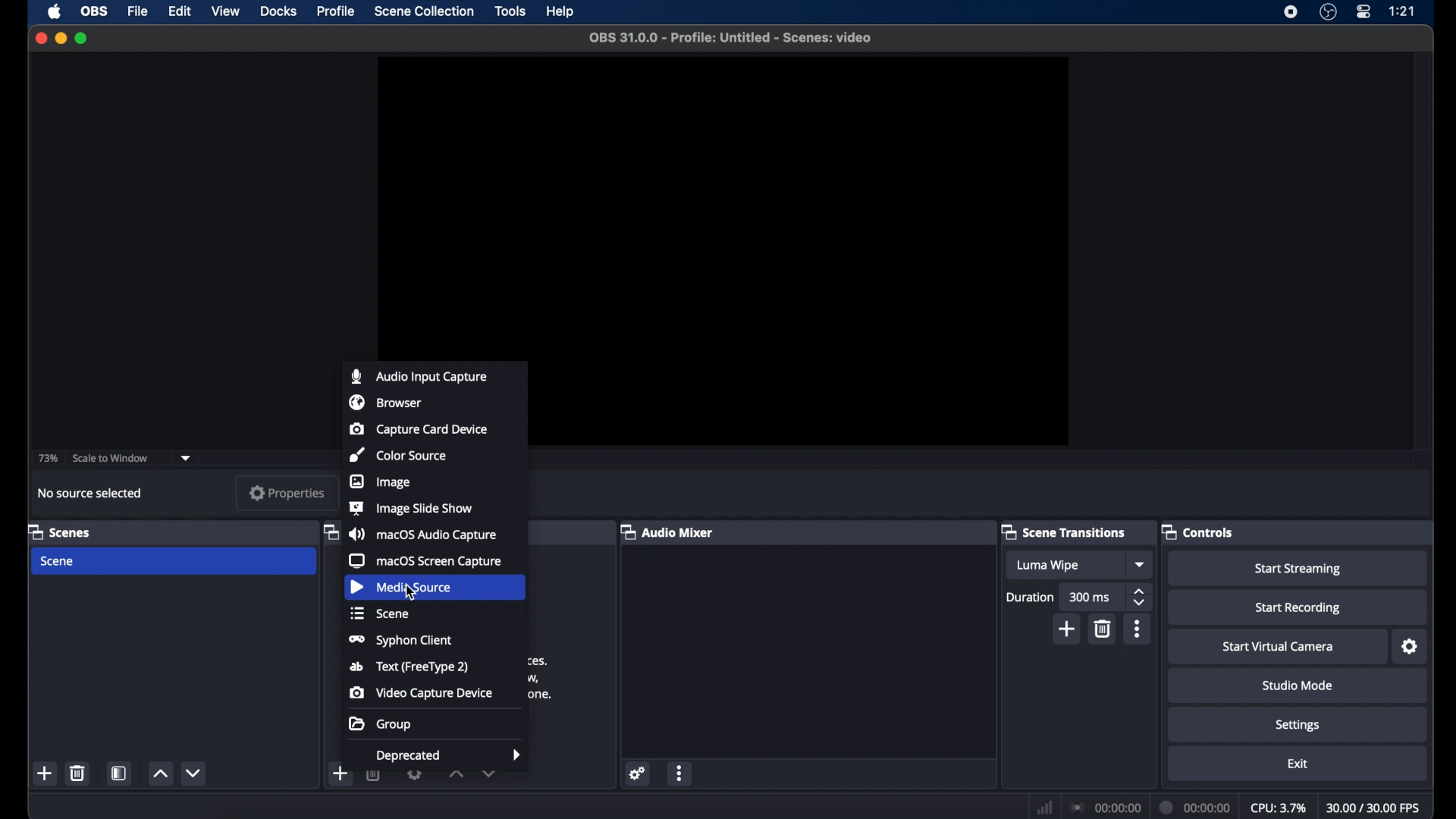 This screenshot has height=819, width=1456. What do you see at coordinates (1300, 568) in the screenshot?
I see `start streaming` at bounding box center [1300, 568].